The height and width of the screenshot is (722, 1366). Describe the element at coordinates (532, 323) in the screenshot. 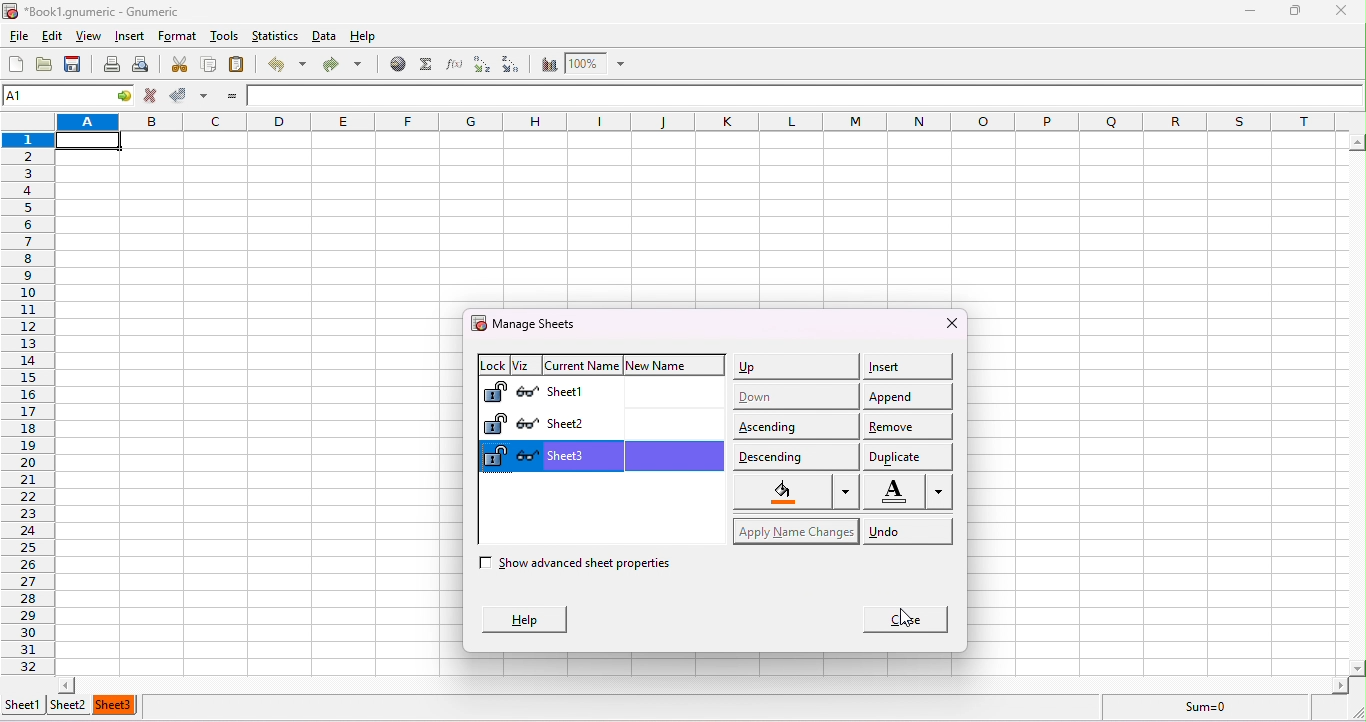

I see `manage sheets` at that location.